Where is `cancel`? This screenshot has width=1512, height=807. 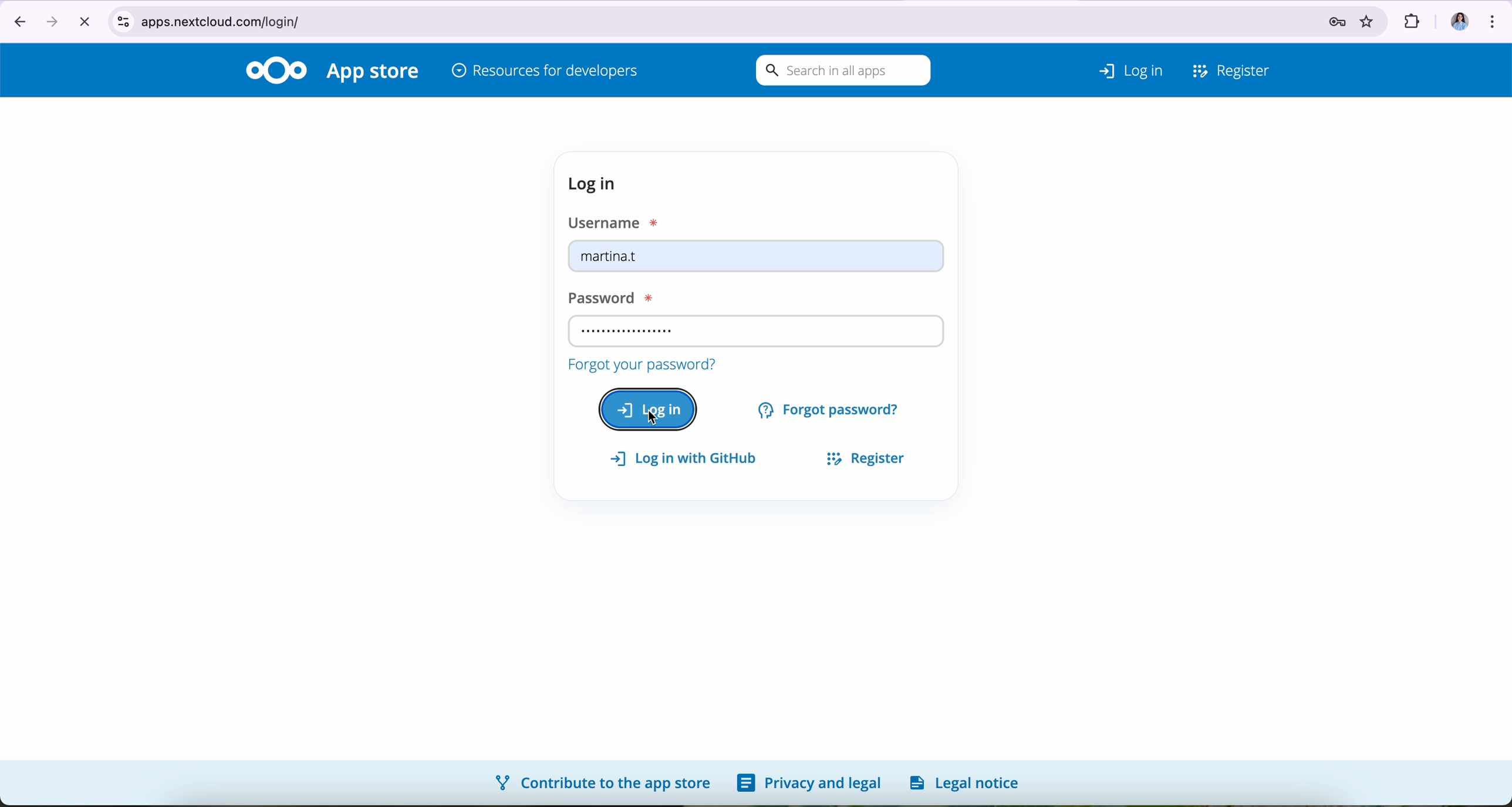 cancel is located at coordinates (84, 21).